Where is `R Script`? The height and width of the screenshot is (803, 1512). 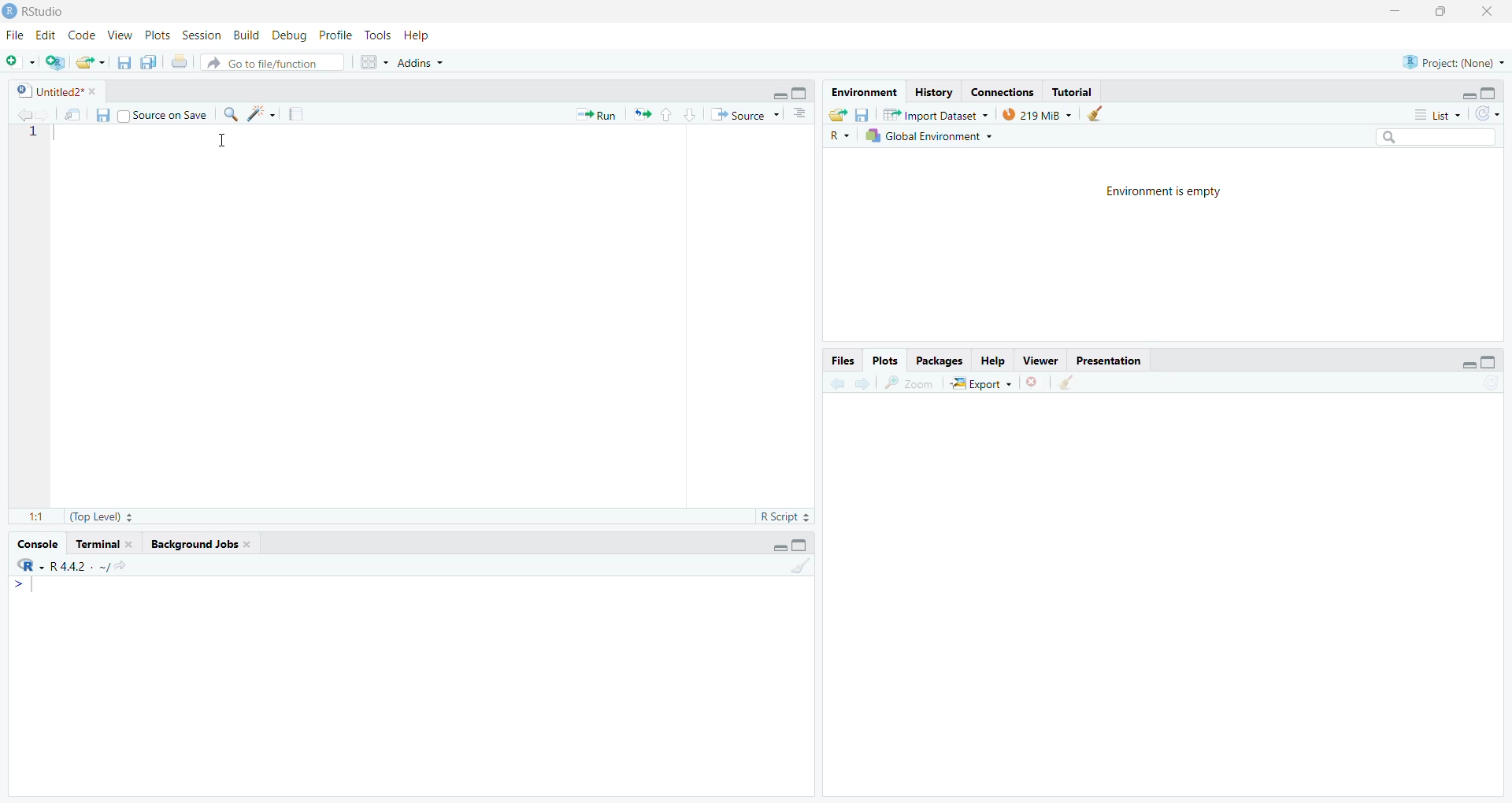
R Script is located at coordinates (786, 516).